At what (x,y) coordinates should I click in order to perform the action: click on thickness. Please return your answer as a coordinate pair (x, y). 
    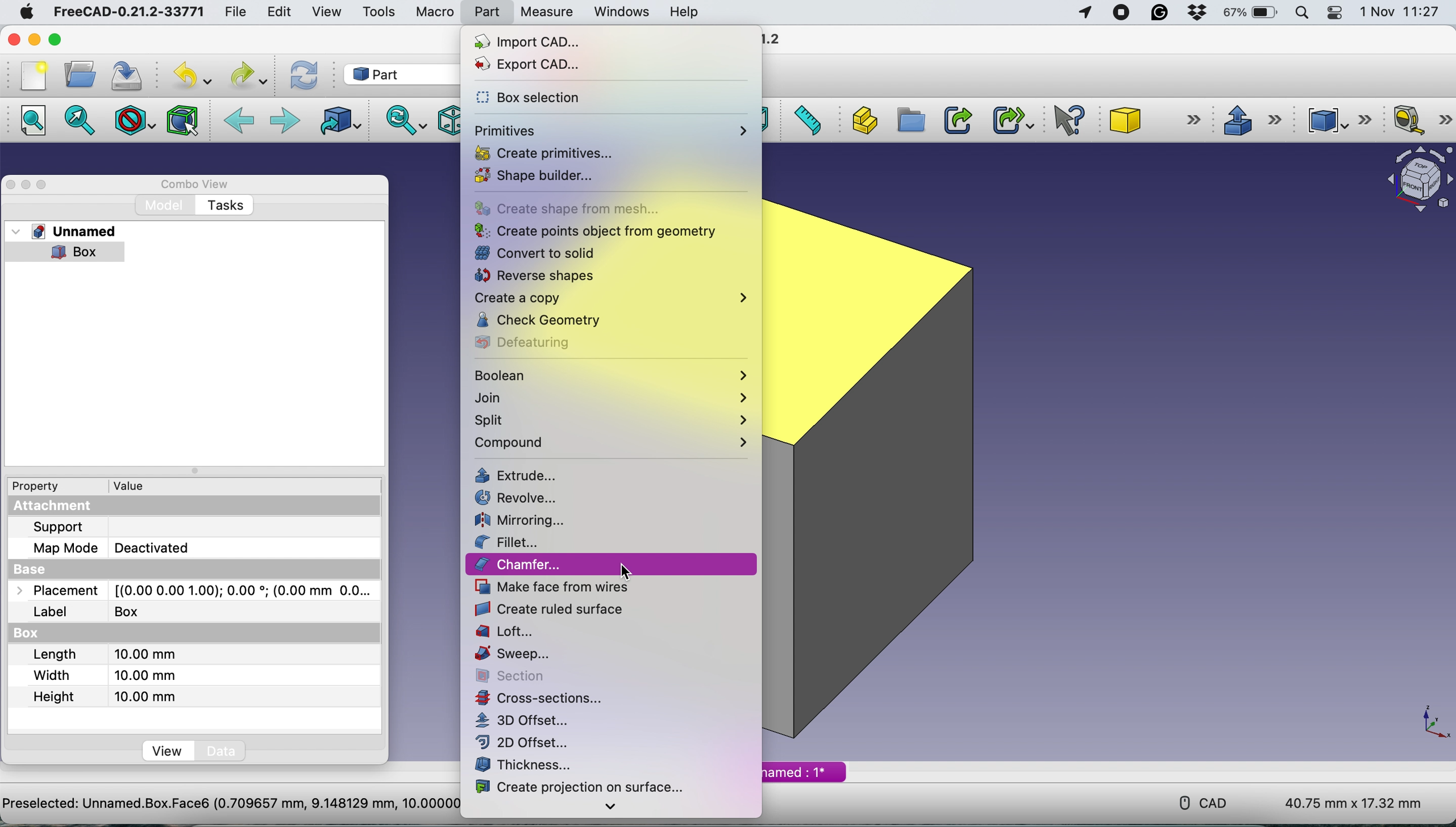
    Looking at the image, I should click on (525, 766).